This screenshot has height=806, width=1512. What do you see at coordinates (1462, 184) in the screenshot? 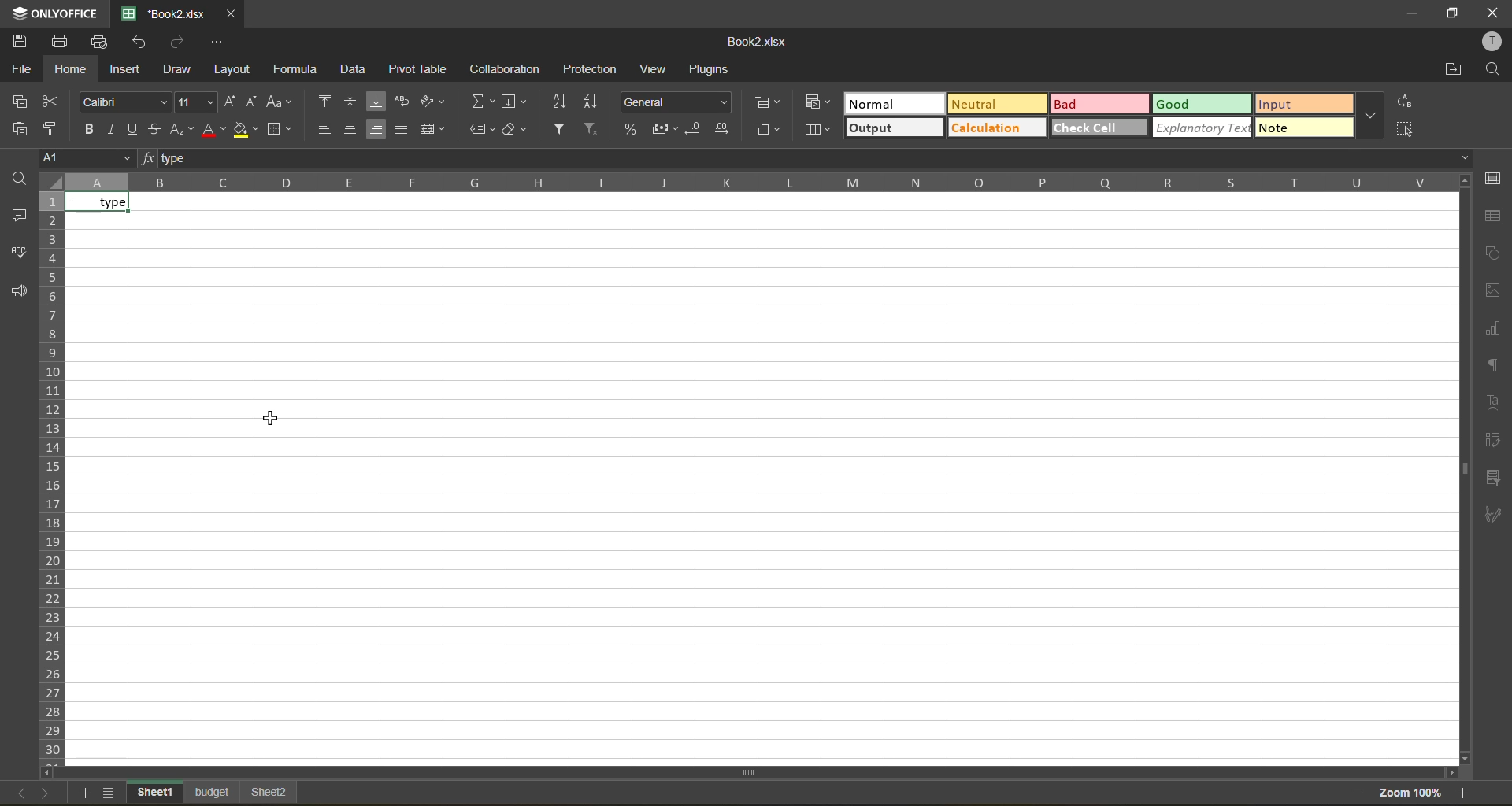
I see `move up` at bounding box center [1462, 184].